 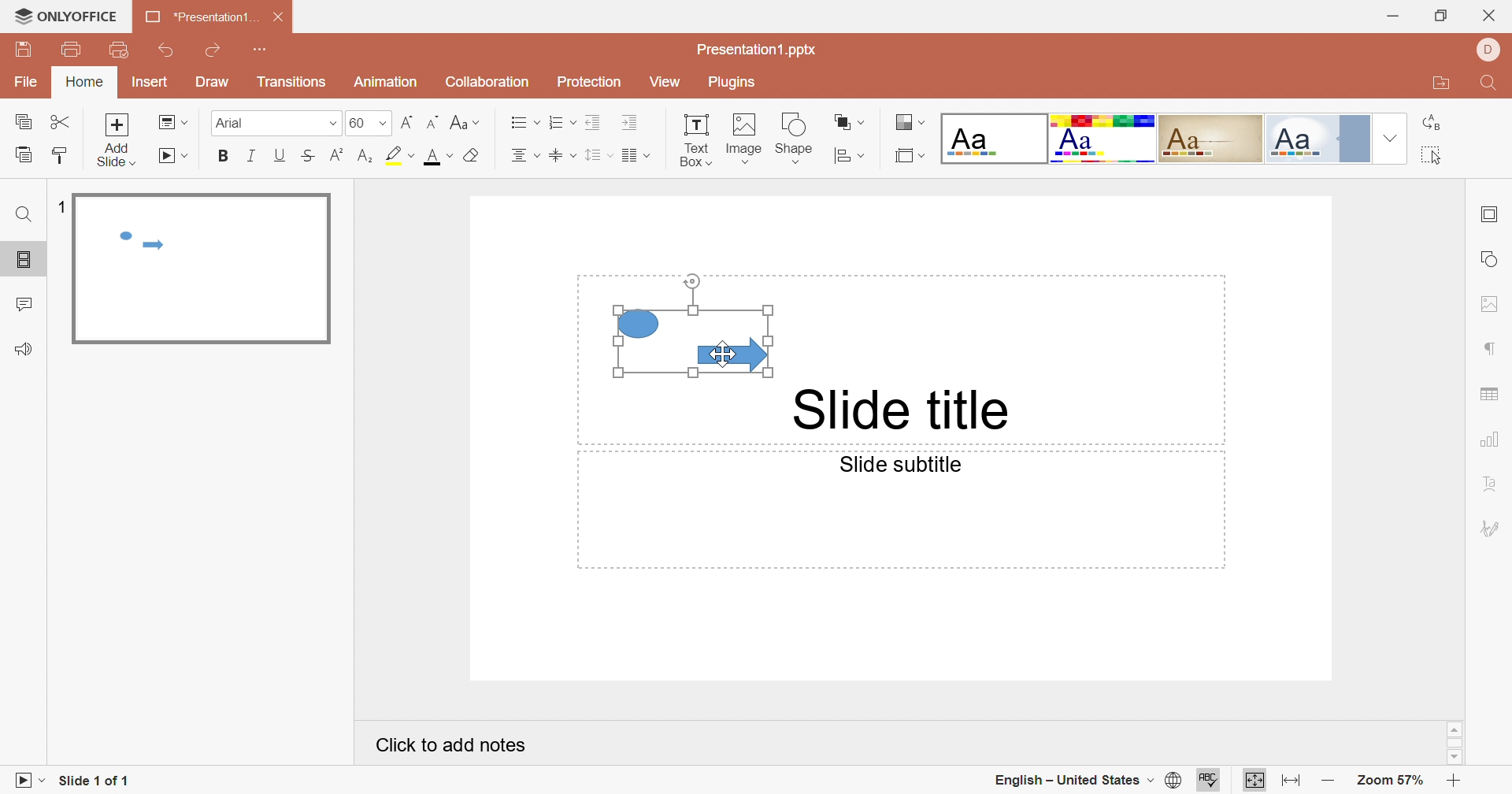 What do you see at coordinates (1492, 216) in the screenshot?
I see `slide settings` at bounding box center [1492, 216].